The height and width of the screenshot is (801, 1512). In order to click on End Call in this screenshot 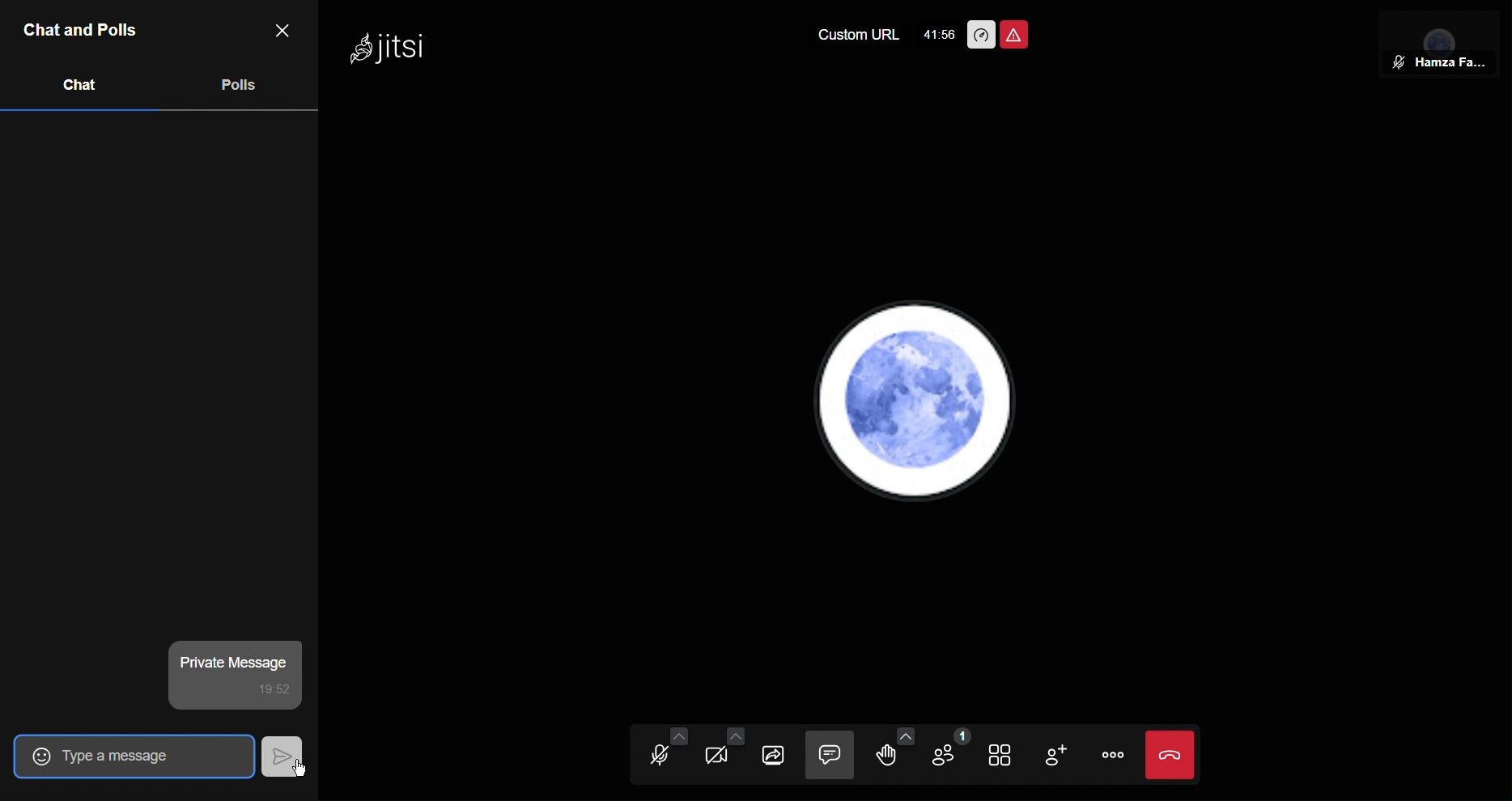, I will do `click(1173, 756)`.